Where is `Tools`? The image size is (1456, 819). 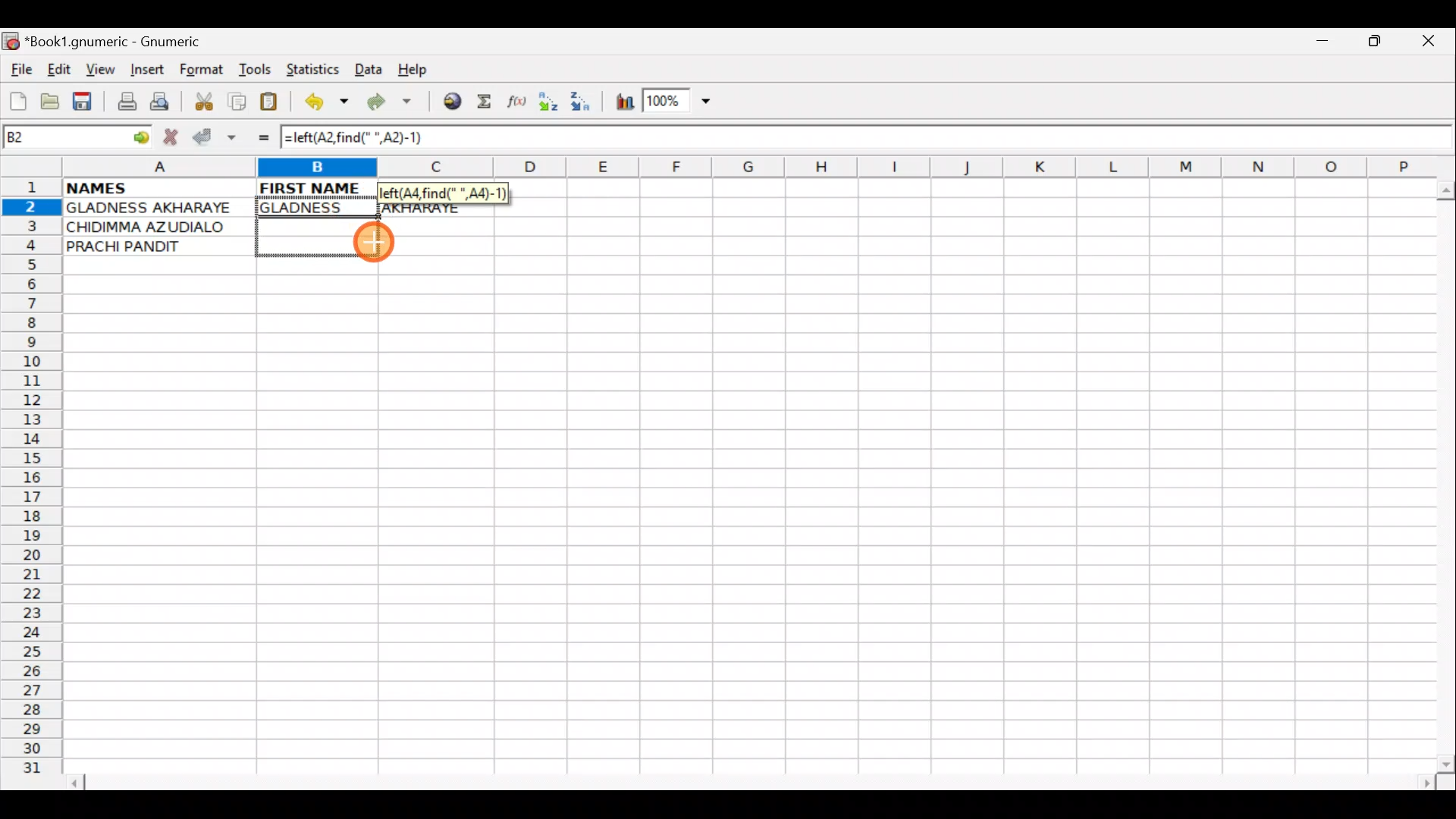
Tools is located at coordinates (256, 70).